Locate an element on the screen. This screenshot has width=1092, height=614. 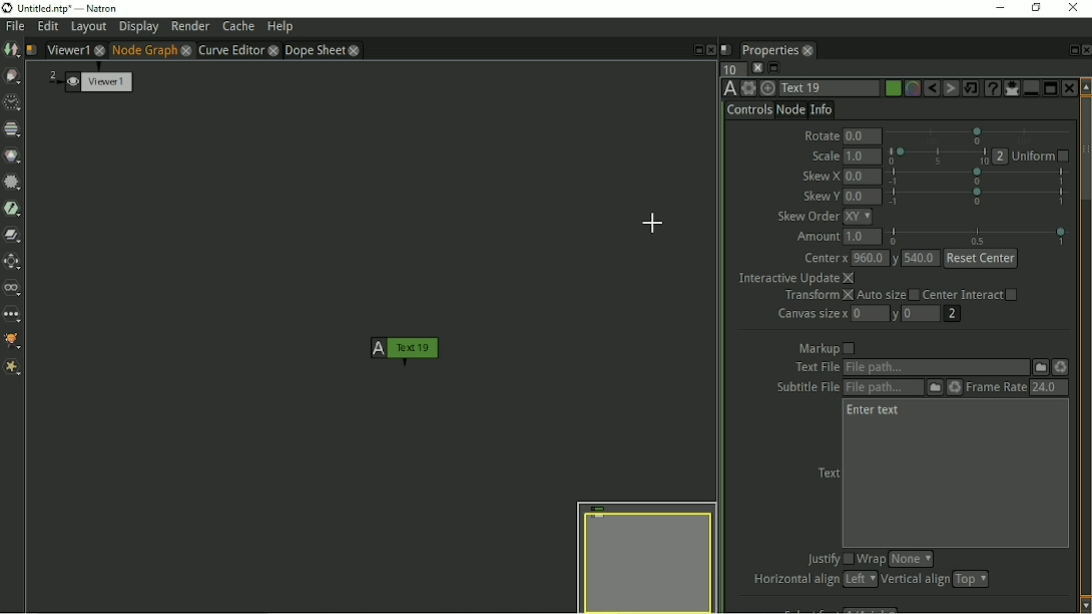
none is located at coordinates (911, 558).